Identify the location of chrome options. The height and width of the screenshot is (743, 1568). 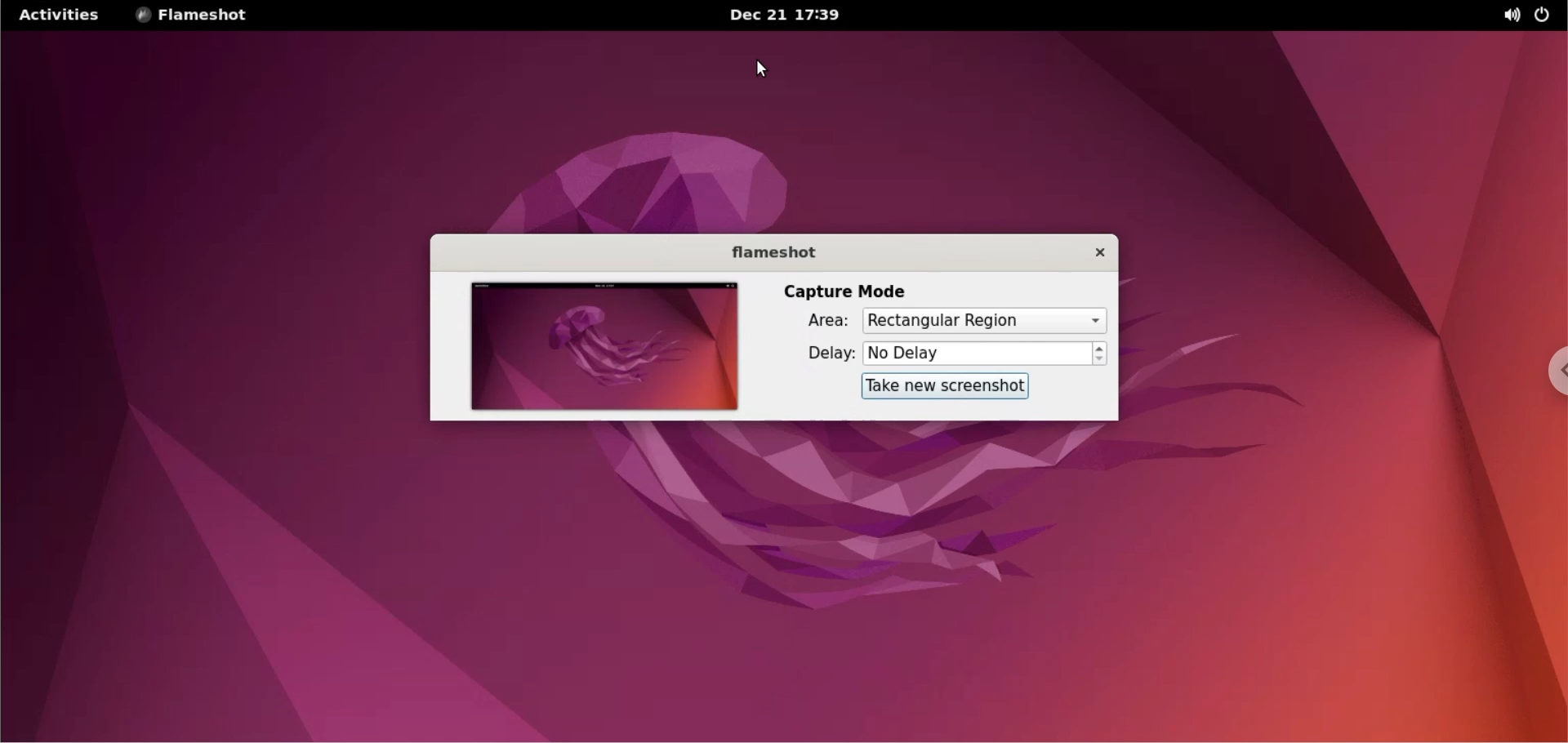
(1550, 372).